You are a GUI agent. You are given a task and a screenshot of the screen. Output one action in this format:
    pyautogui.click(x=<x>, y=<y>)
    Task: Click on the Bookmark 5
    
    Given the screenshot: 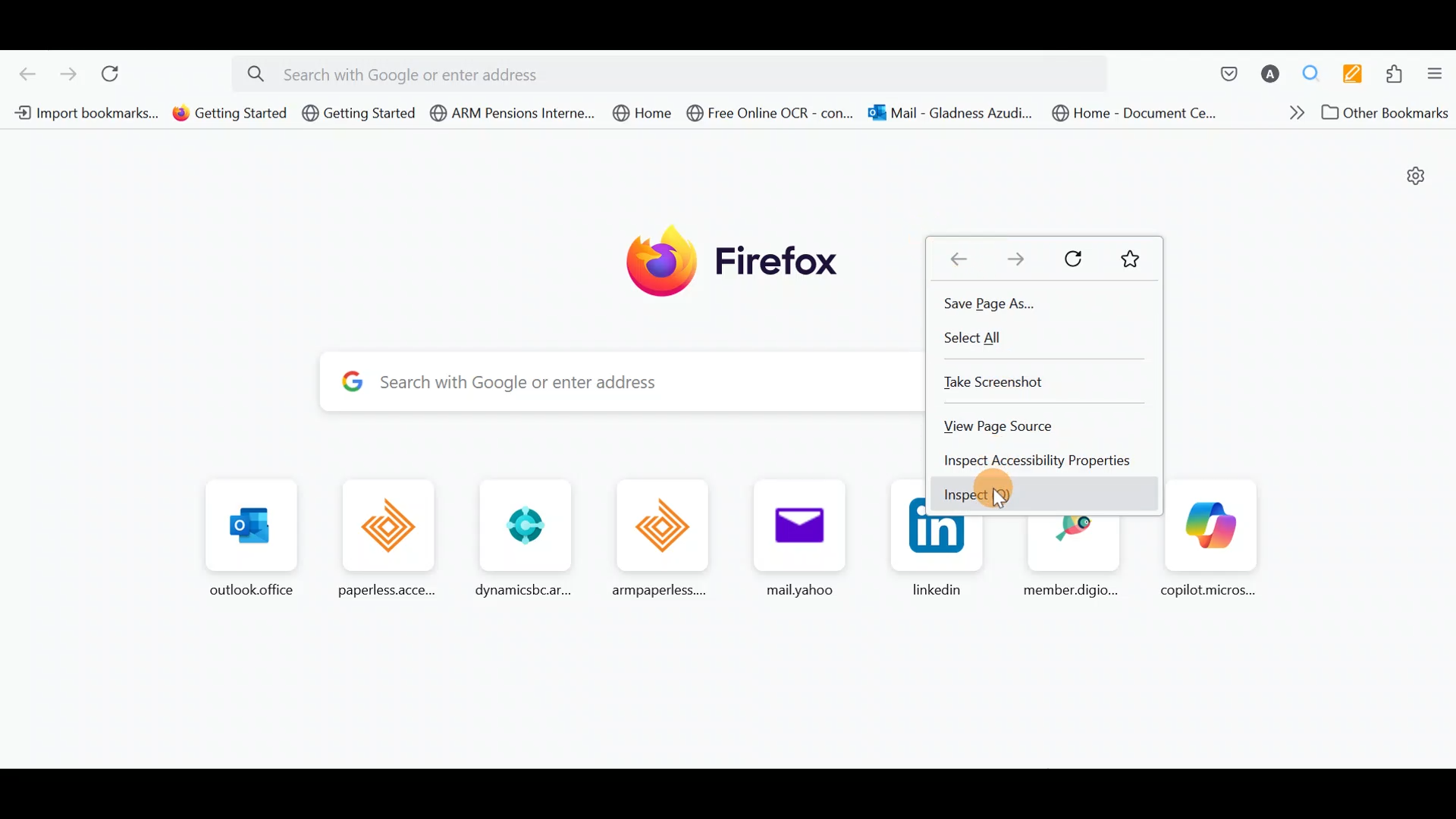 What is the action you would take?
    pyautogui.click(x=648, y=115)
    